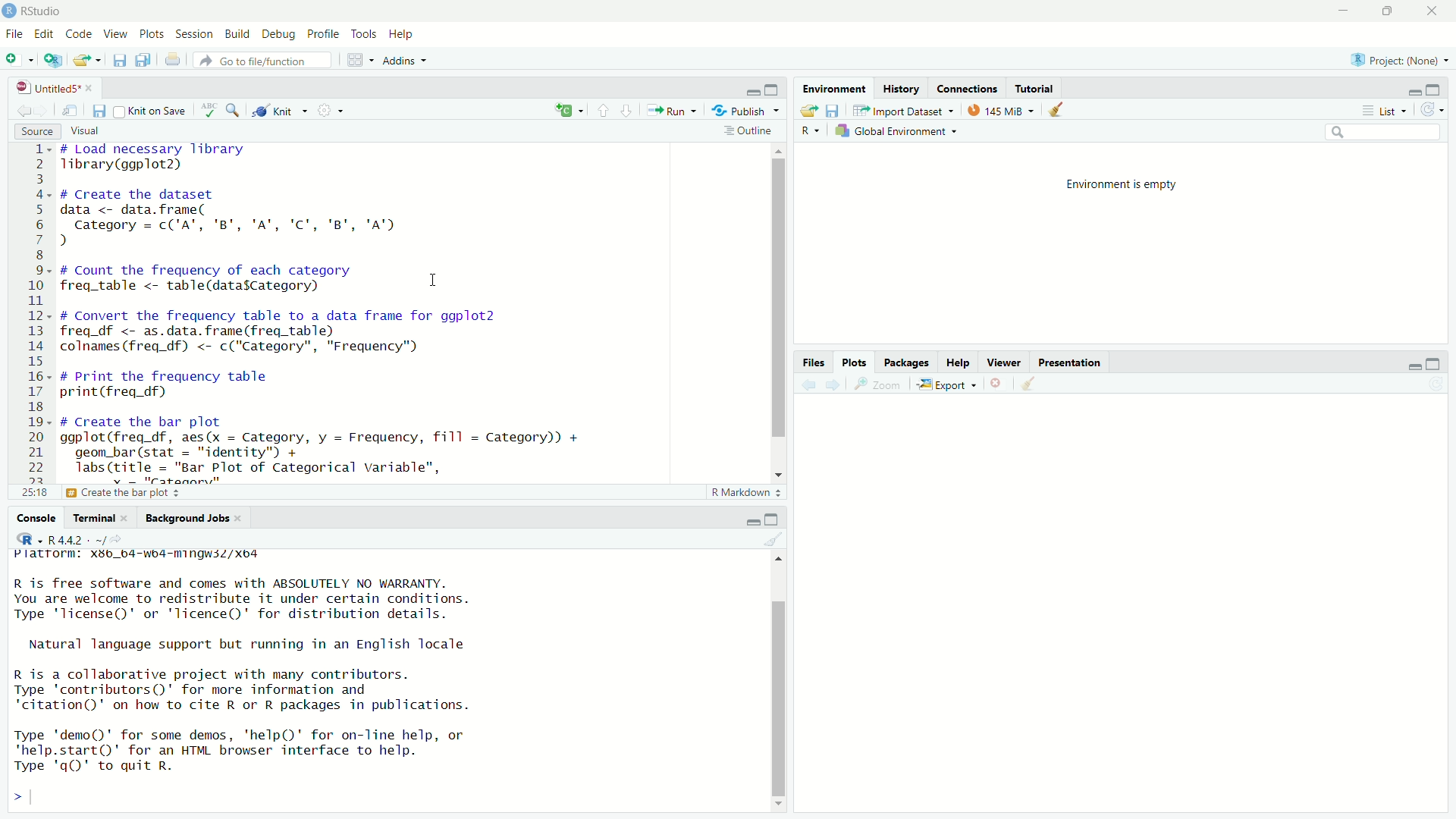 The image size is (1456, 819). What do you see at coordinates (266, 689) in the screenshot?
I see `R is free software and comes with ABSOLUTELY NO WARRANTY.You are welcome to redistribute it under certain conditions.Type 'license()' or 'licence()' for distribution details.Natural language support but running in an English localeR is a collaborative project with many contributors.Type 'contributors()' for more information and"citation()' on how to cite R or R packages in publications.Type 'demo()' for some demos, 'help()' for on-Tine help, or'help.start()"' for an HTML browser interface to help.Type 'qQ' to quit R.` at bounding box center [266, 689].